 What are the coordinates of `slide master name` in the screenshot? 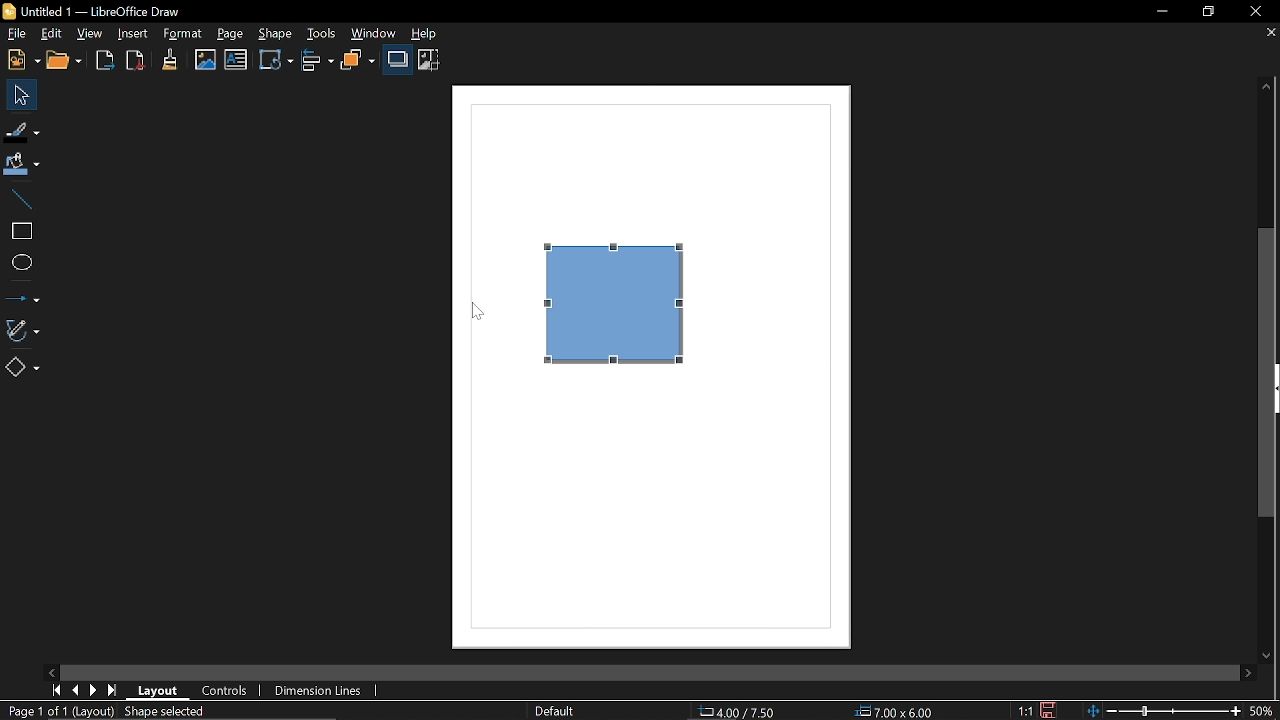 It's located at (554, 712).